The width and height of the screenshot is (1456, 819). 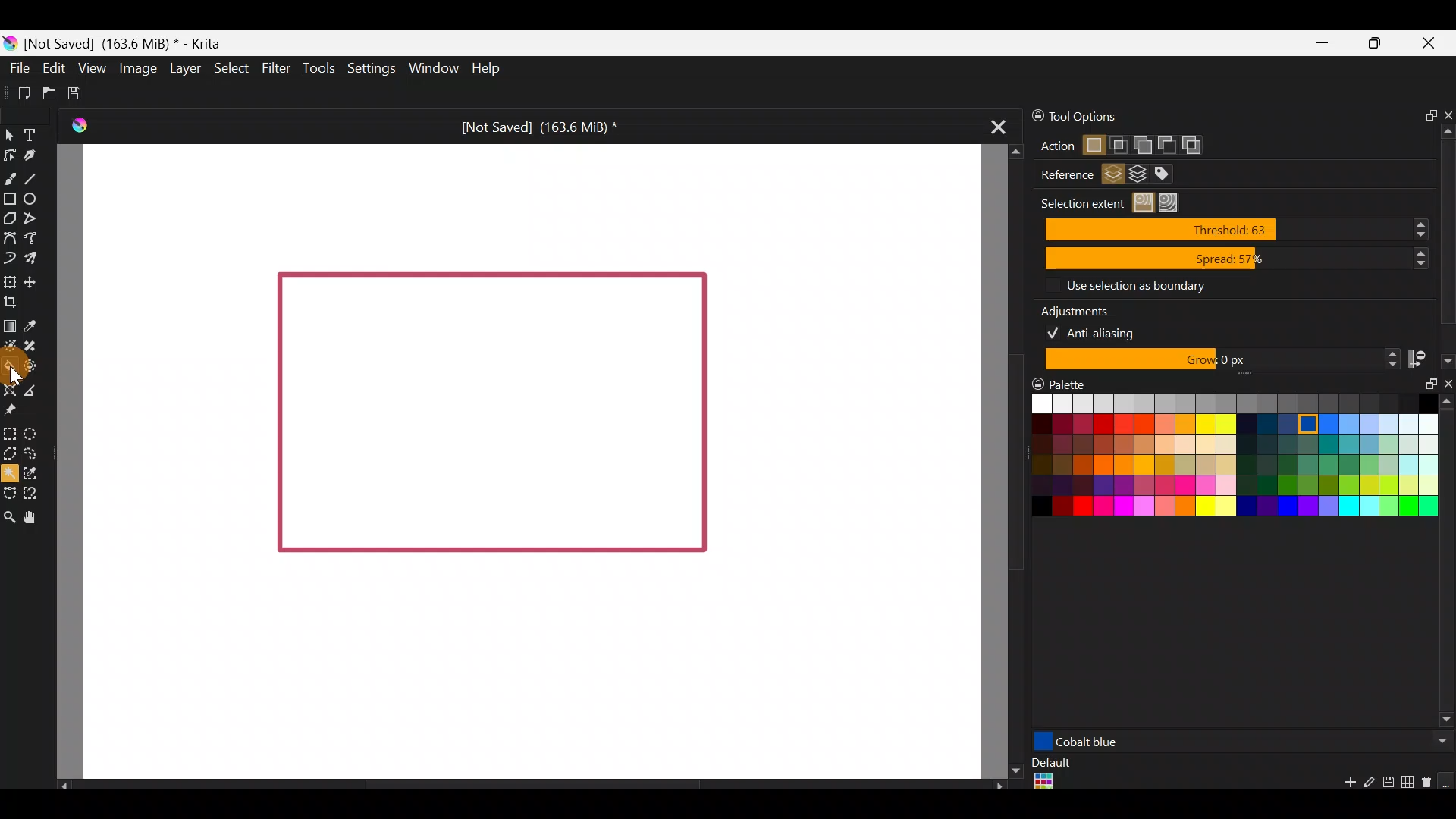 I want to click on Anti-aliasing, so click(x=1101, y=331).